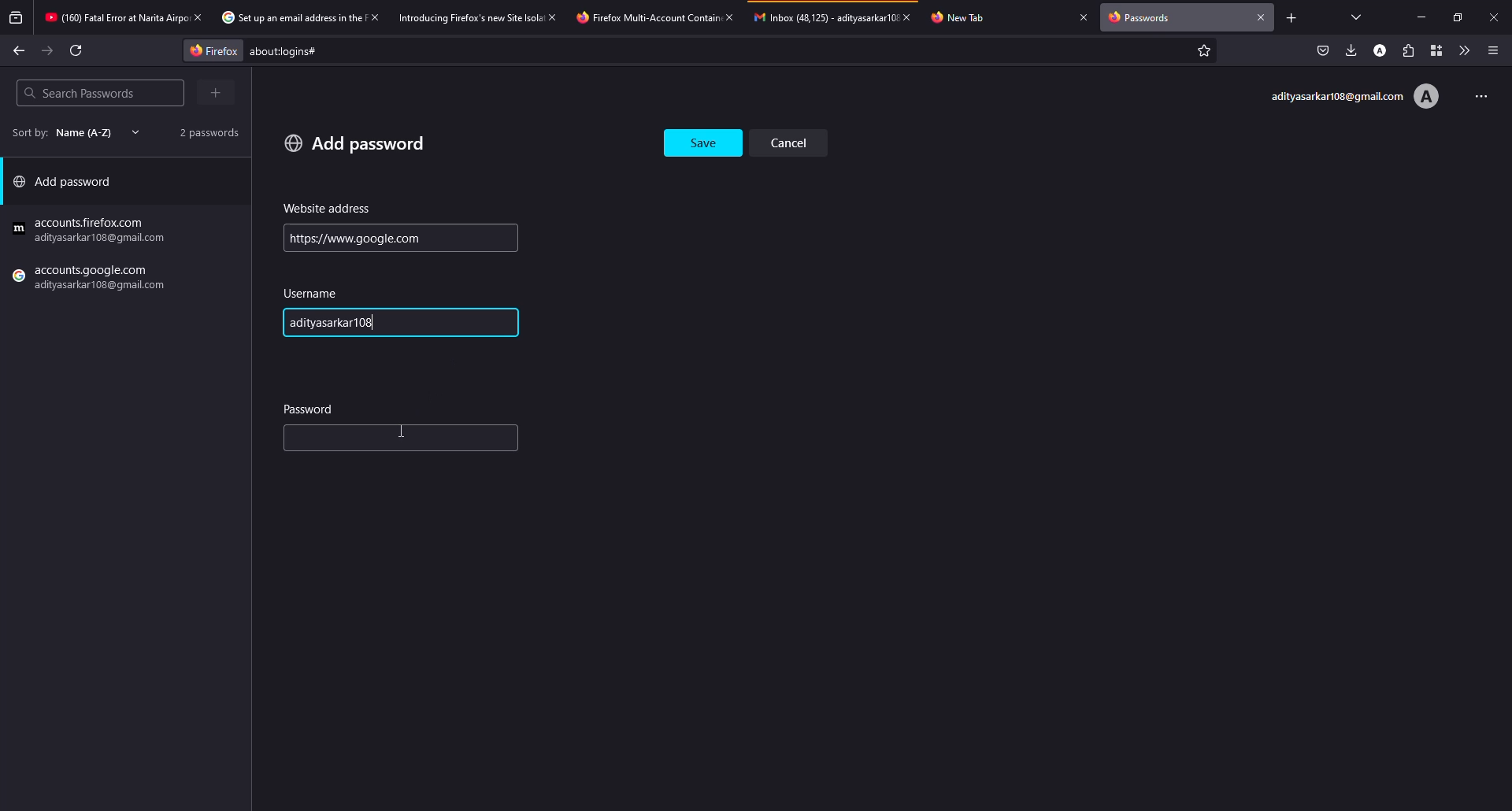  Describe the element at coordinates (19, 50) in the screenshot. I see `back` at that location.